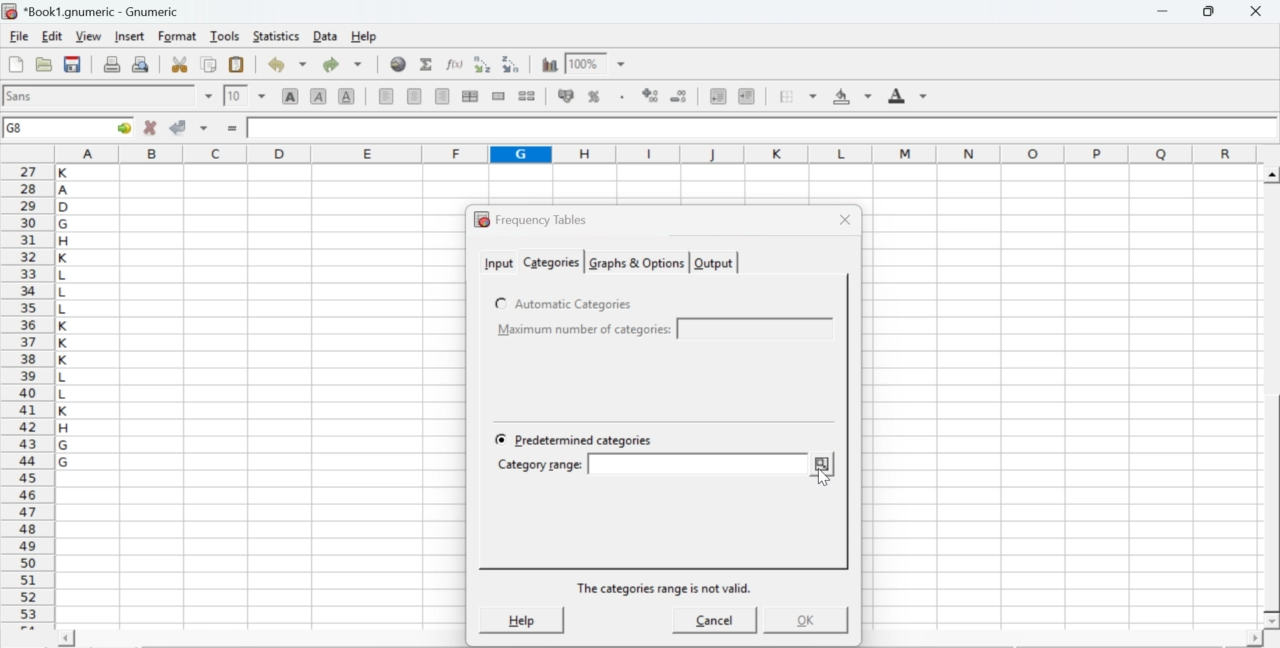 The image size is (1280, 648). What do you see at coordinates (526, 95) in the screenshot?
I see `split merged ranges of cells` at bounding box center [526, 95].